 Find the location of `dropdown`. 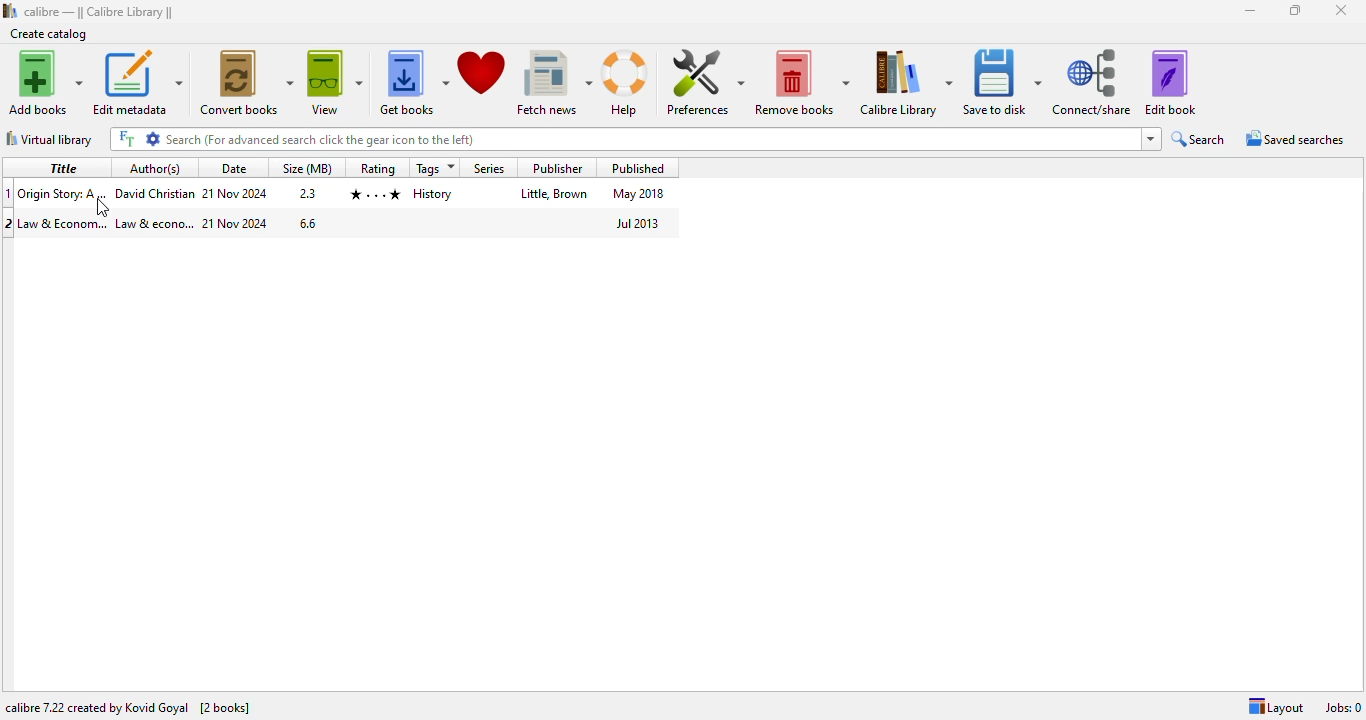

dropdown is located at coordinates (1151, 139).